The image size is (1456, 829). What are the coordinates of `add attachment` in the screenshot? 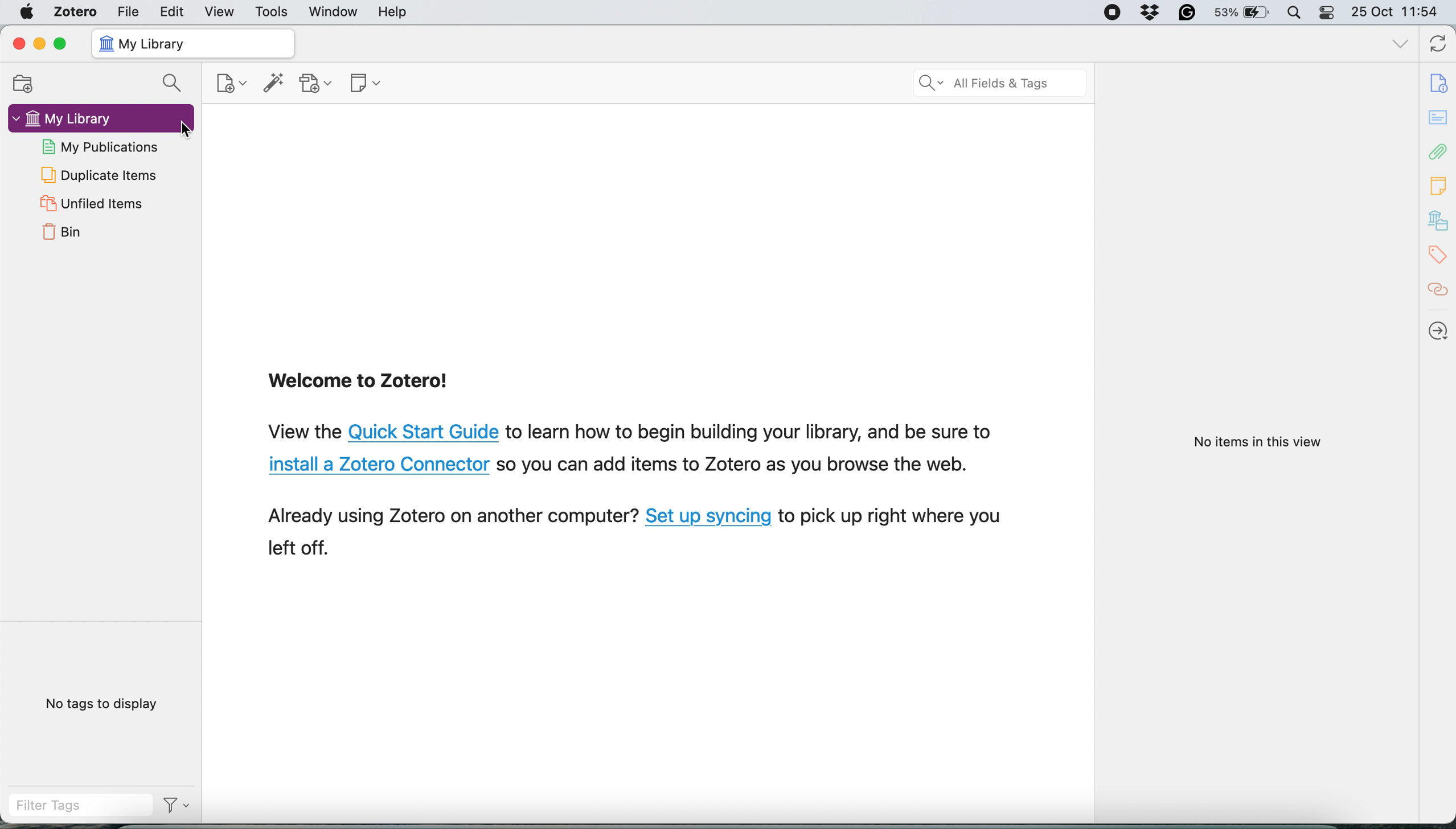 It's located at (315, 83).